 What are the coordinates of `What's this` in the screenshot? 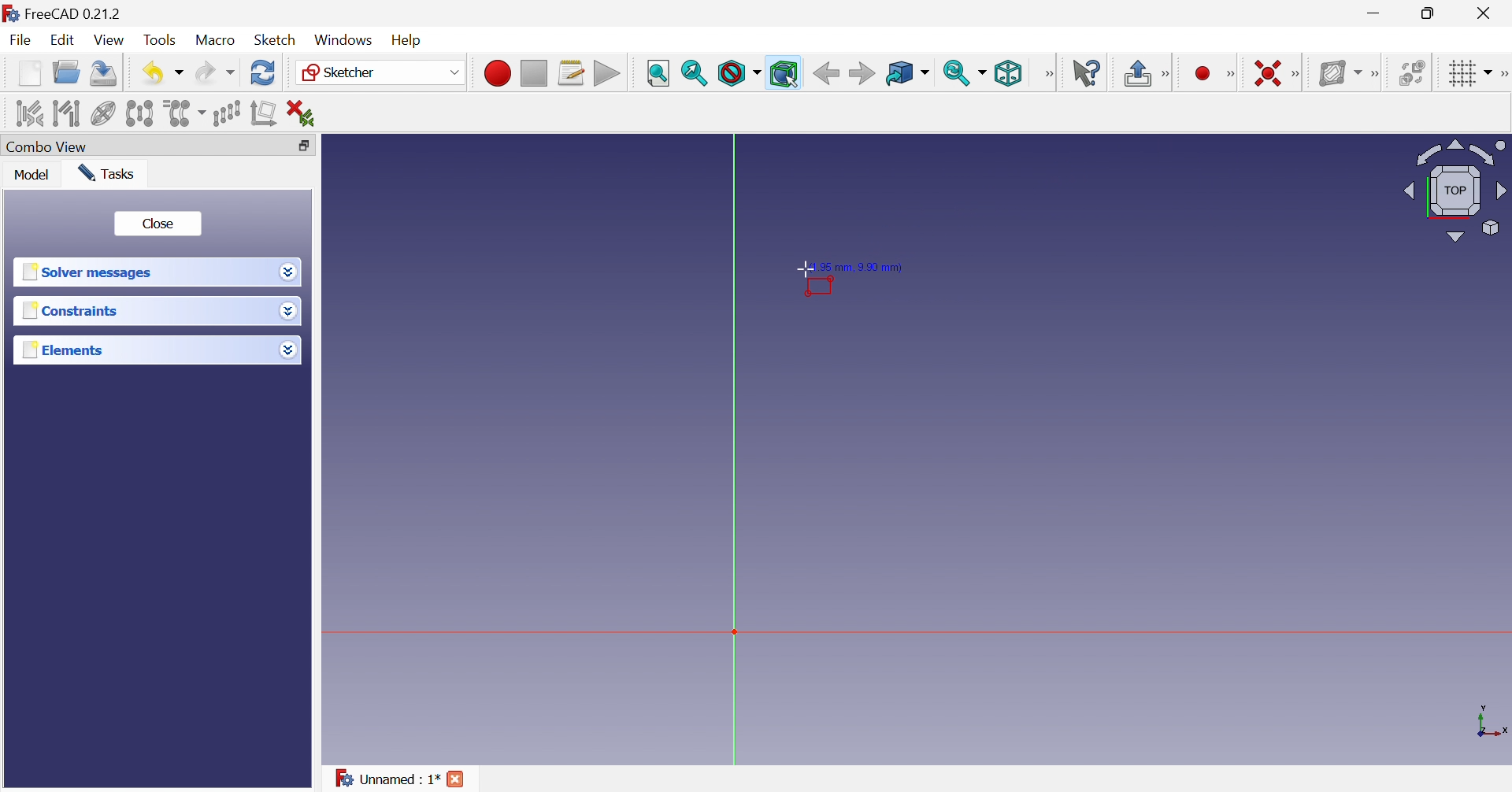 It's located at (1091, 72).